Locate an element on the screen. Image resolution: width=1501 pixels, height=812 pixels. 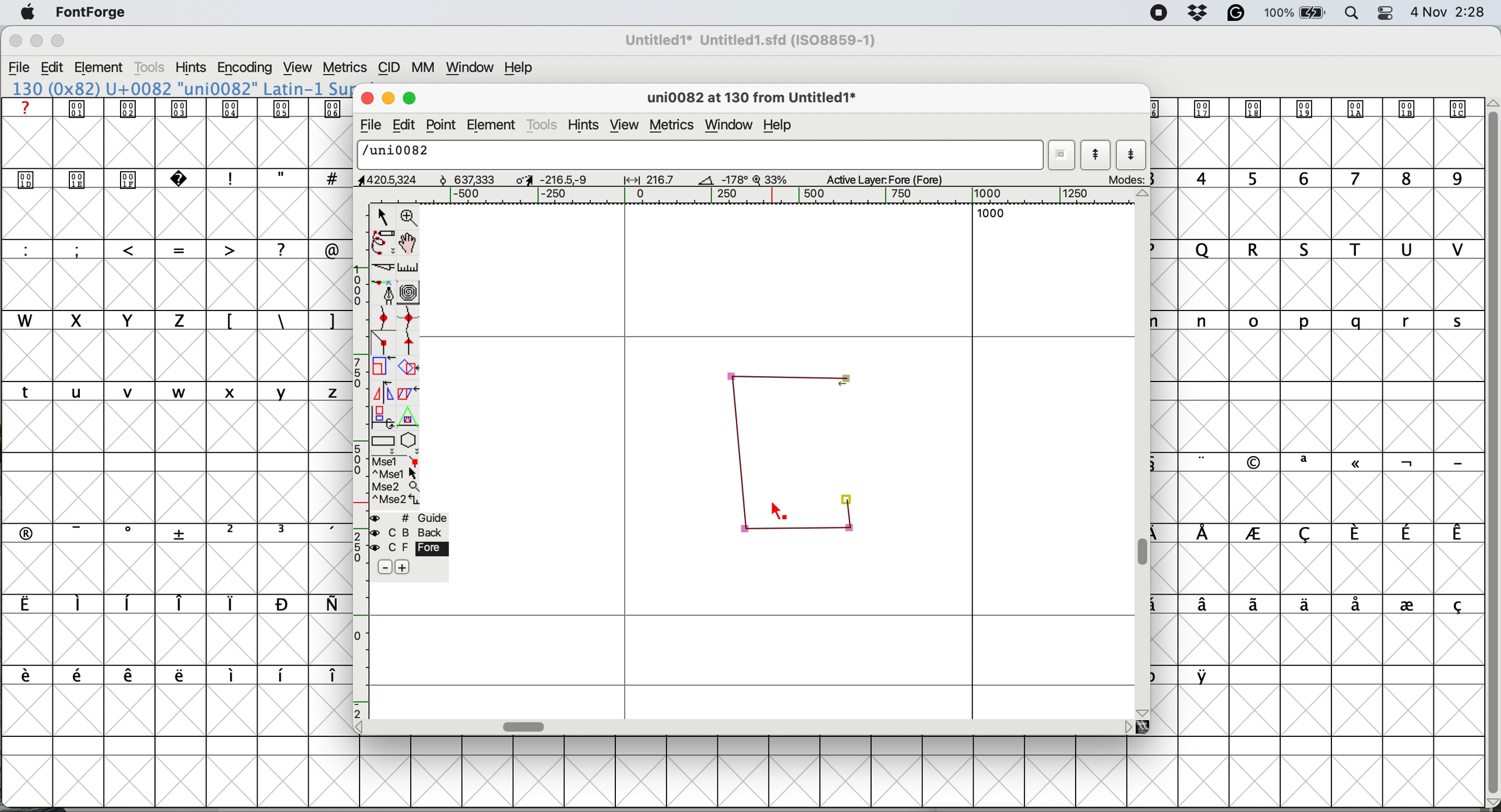
control center is located at coordinates (1384, 13).